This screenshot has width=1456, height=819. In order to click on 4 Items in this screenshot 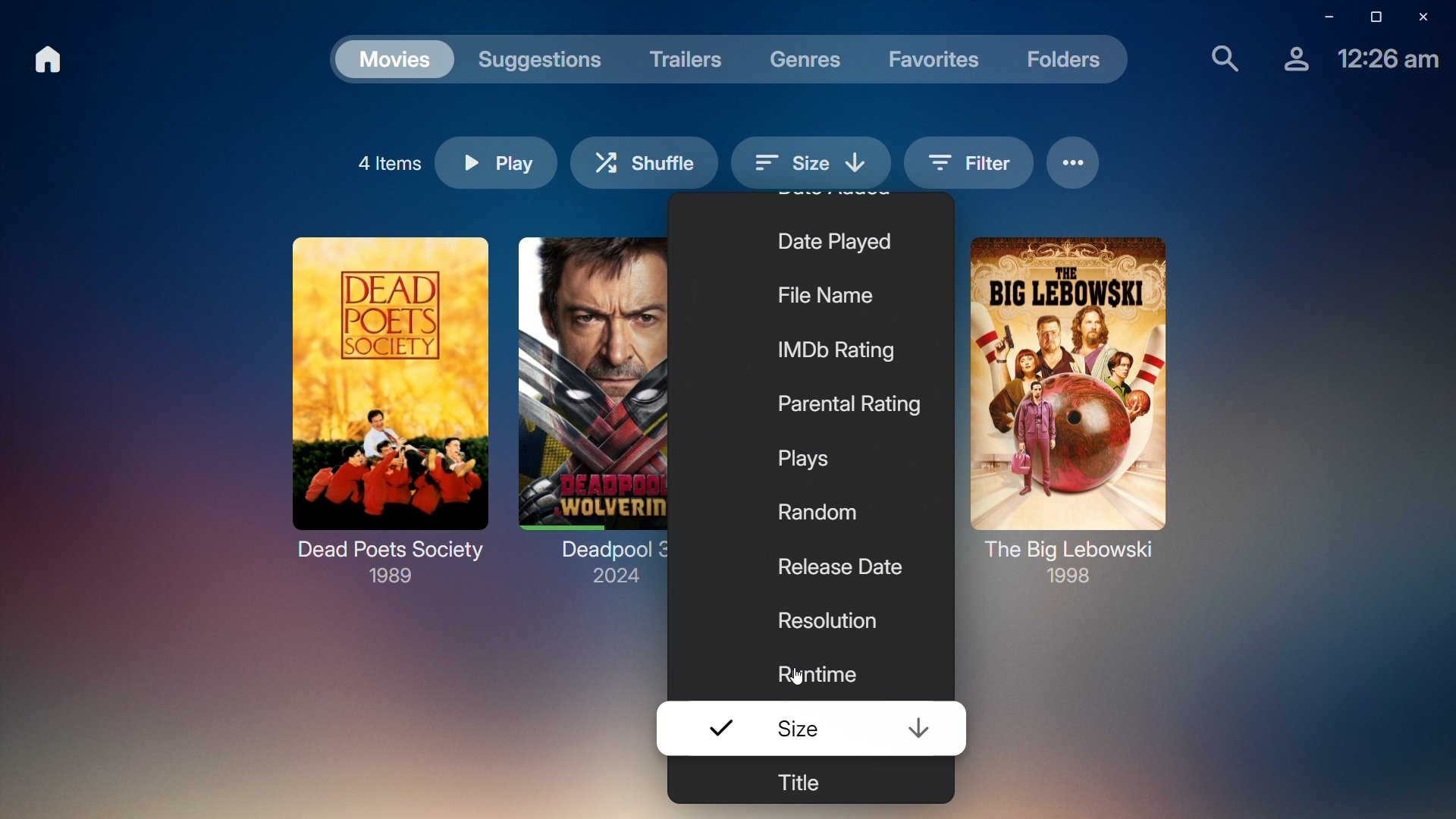, I will do `click(387, 159)`.